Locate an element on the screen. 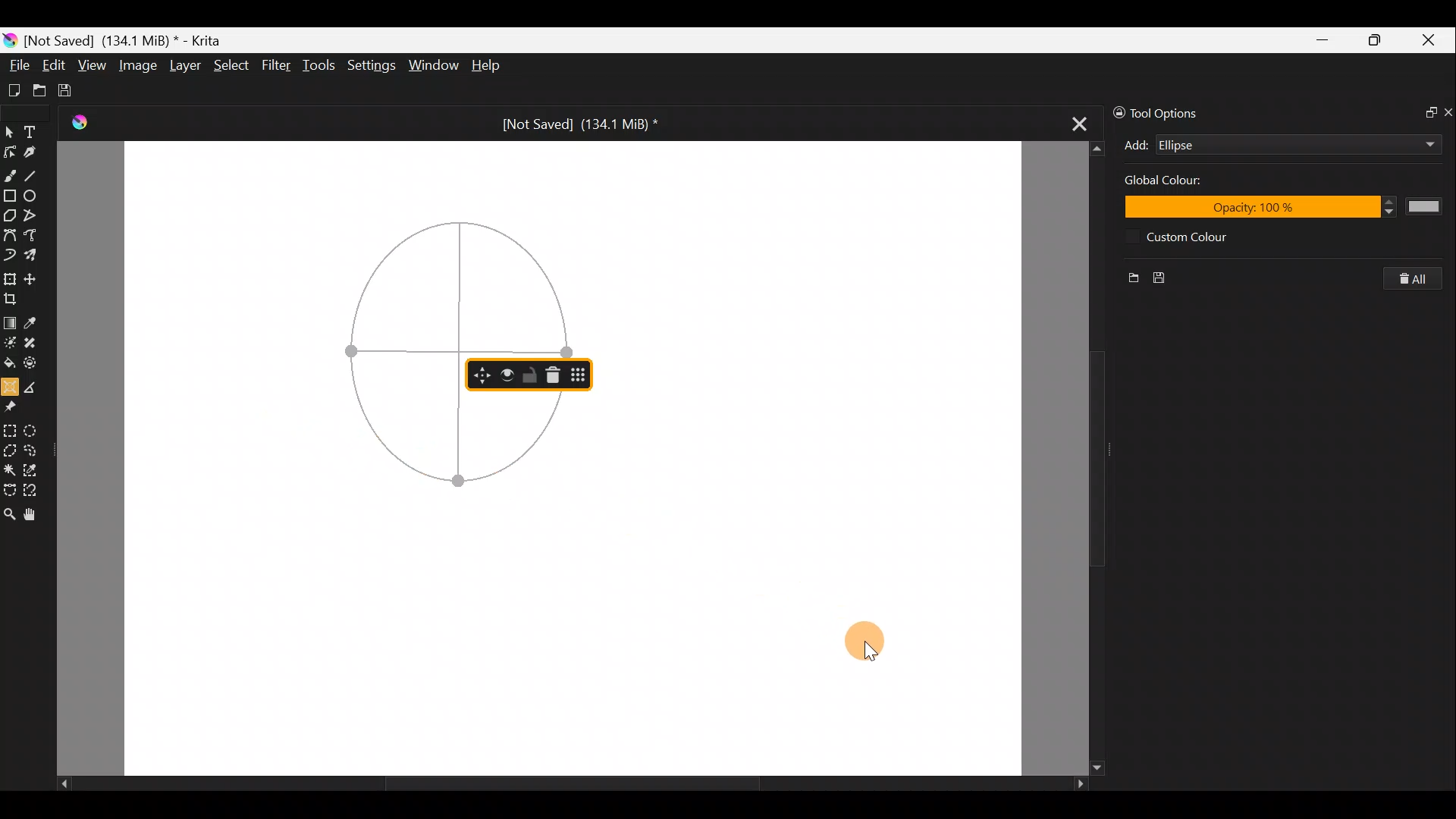 Image resolution: width=1456 pixels, height=819 pixels. Global color is located at coordinates (1182, 183).